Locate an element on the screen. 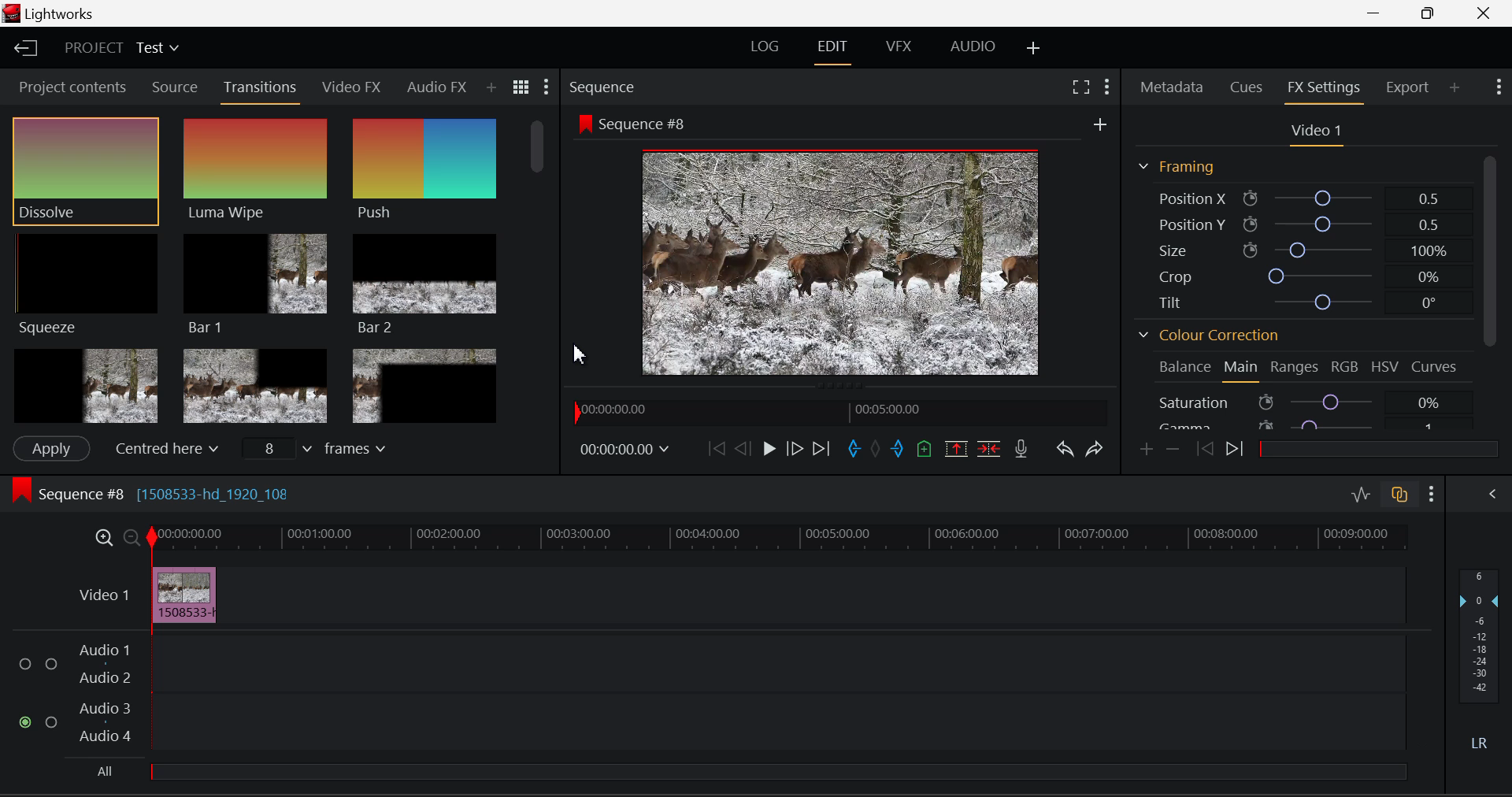 The width and height of the screenshot is (1512, 797). Dissolve is located at coordinates (85, 170).